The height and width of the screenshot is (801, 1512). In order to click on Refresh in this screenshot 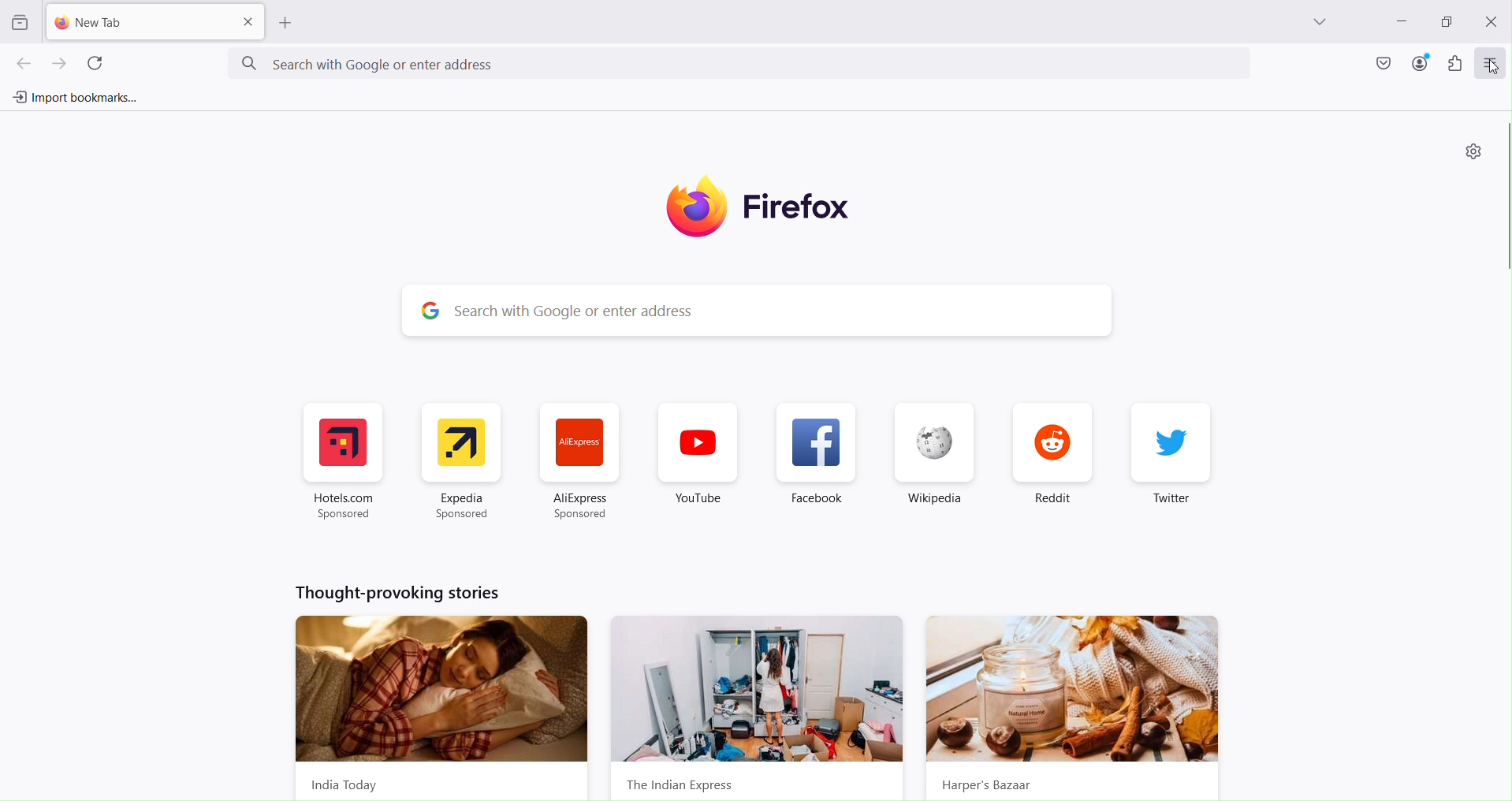, I will do `click(95, 61)`.